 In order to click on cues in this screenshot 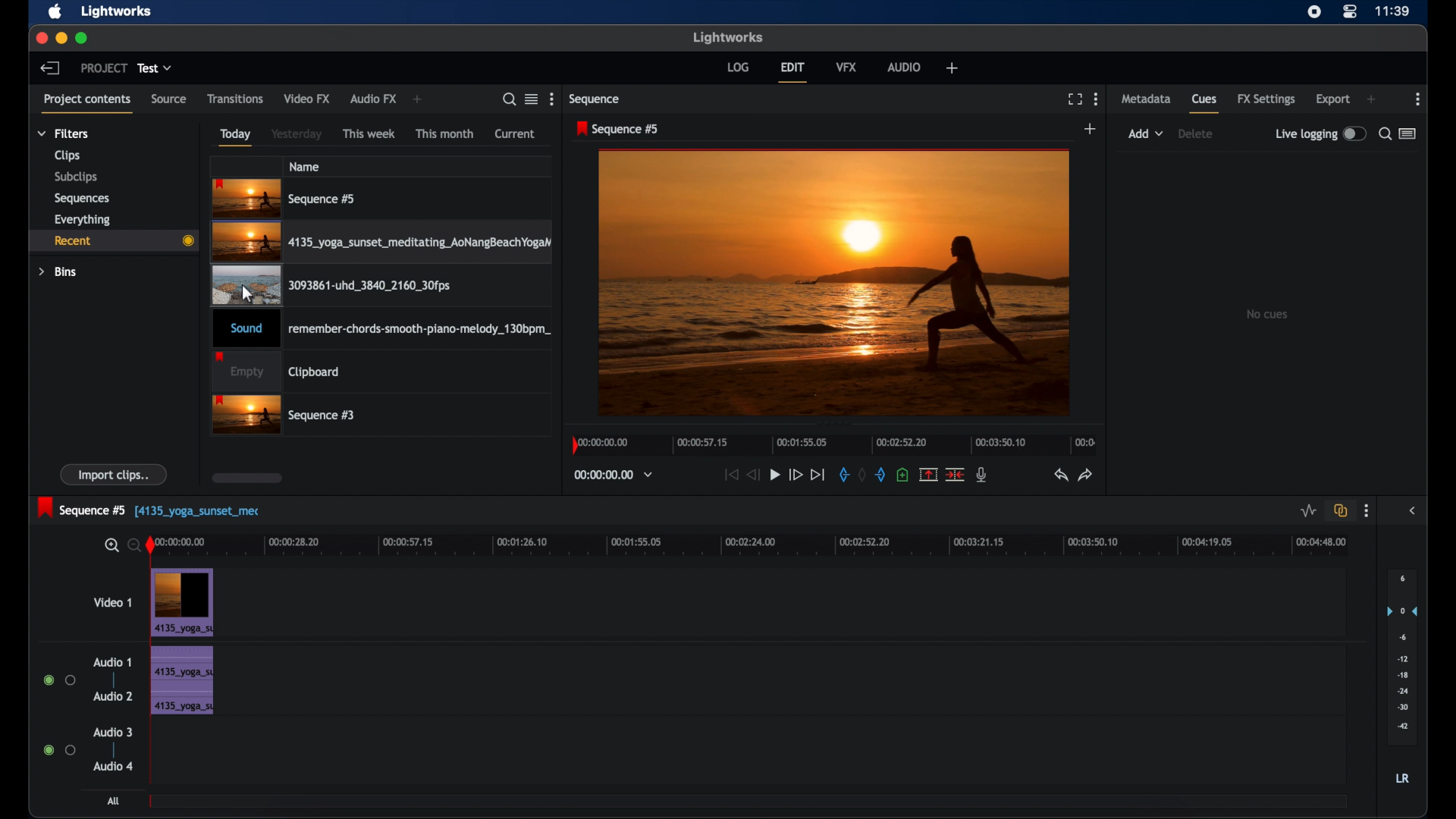, I will do `click(1205, 104)`.